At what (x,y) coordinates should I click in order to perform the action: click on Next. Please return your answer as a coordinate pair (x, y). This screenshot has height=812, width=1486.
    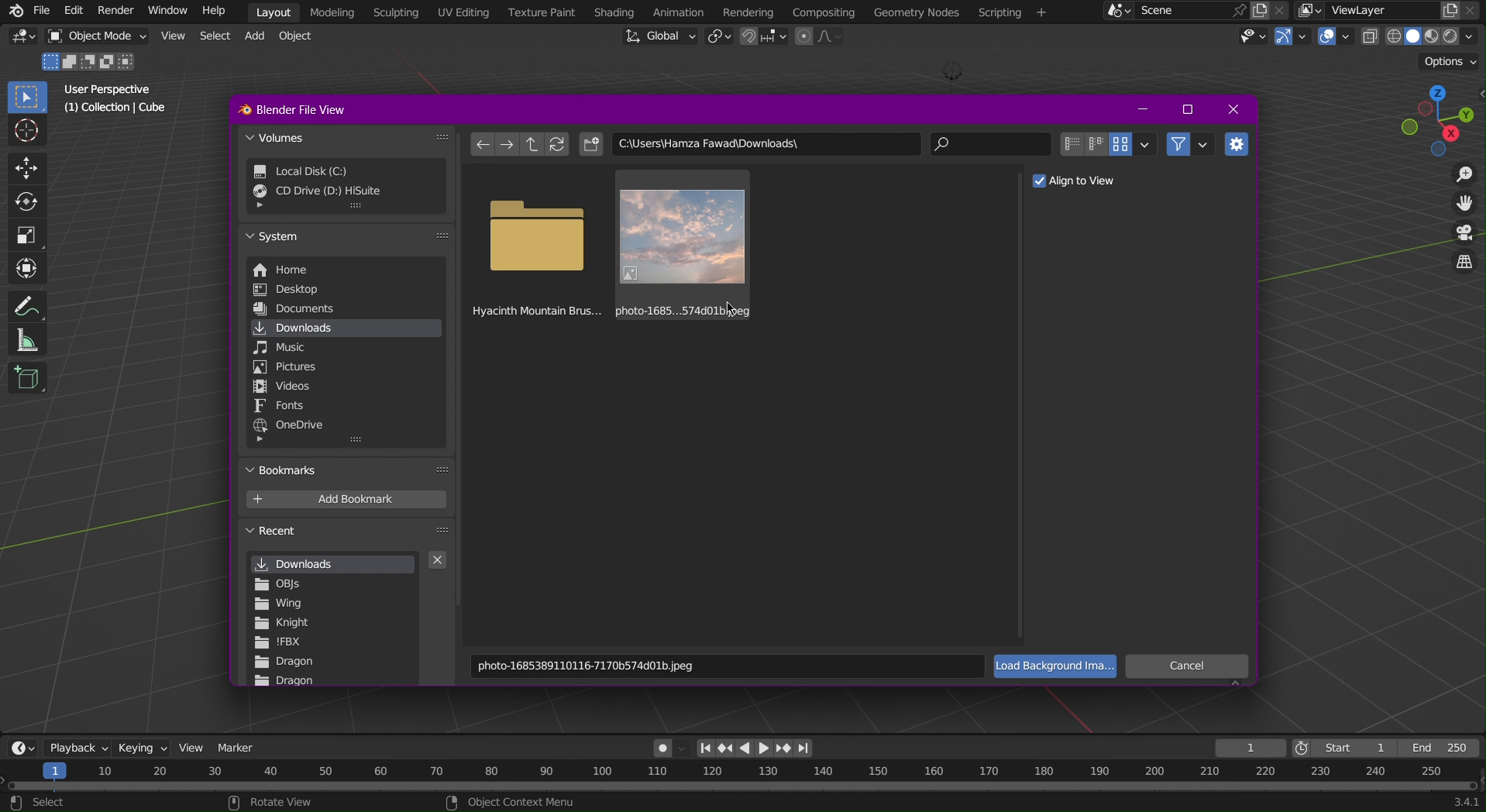
    Looking at the image, I should click on (511, 146).